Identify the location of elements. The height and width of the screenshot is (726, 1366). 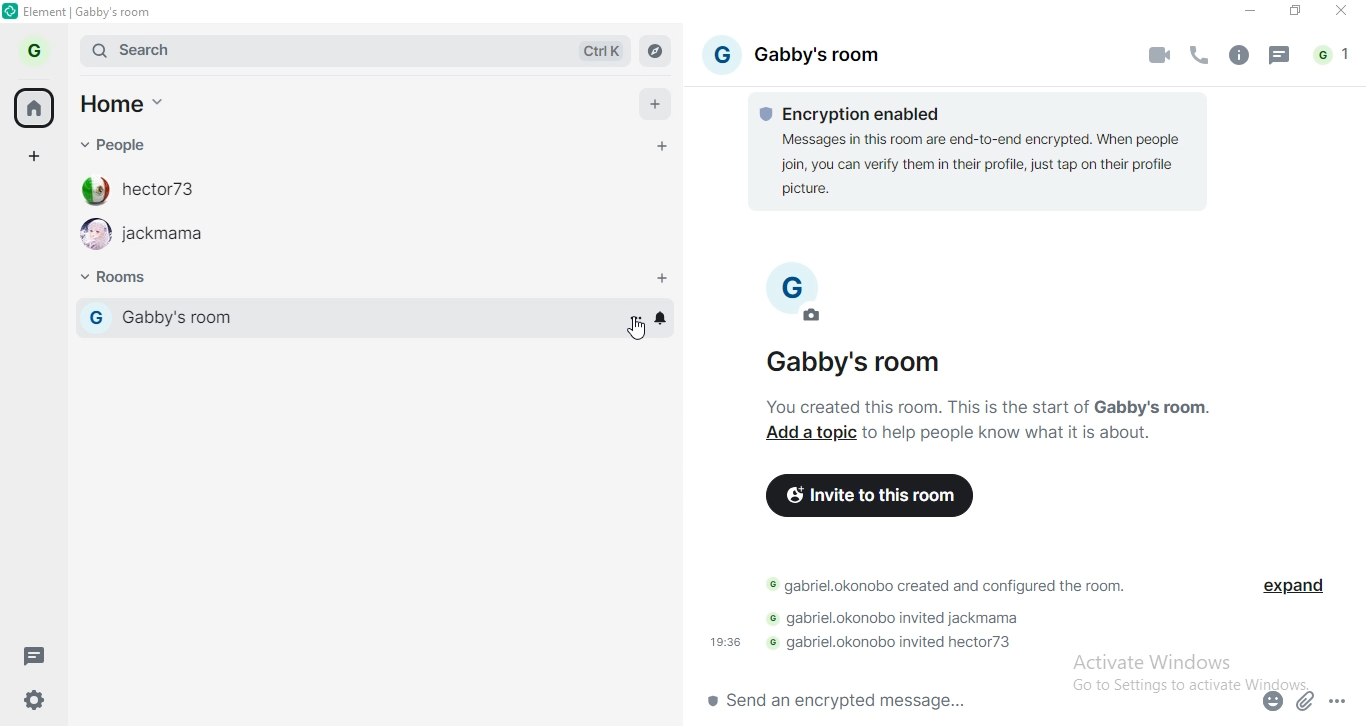
(100, 11).